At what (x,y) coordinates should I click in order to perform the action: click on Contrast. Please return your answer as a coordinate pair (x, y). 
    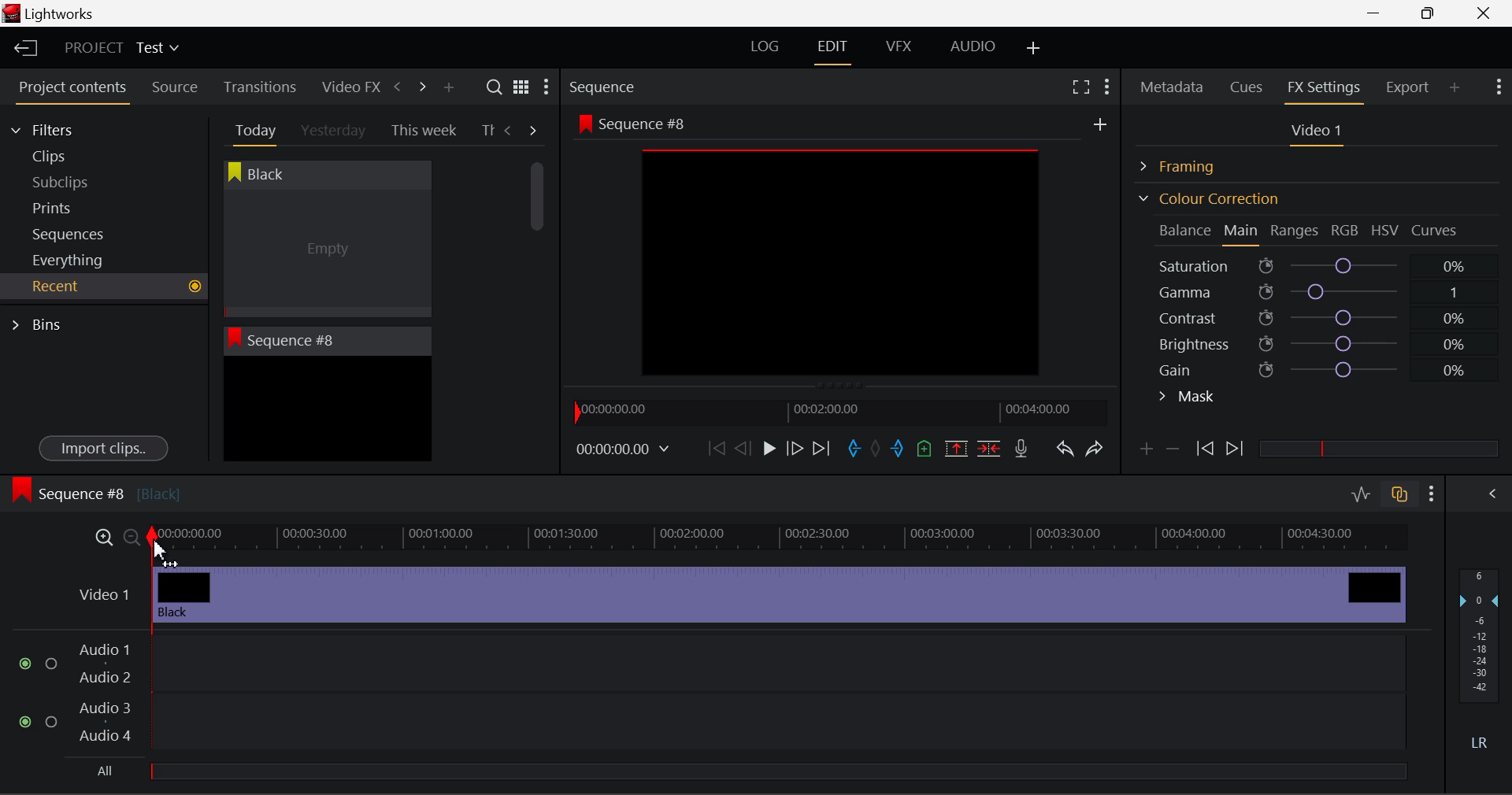
    Looking at the image, I should click on (1318, 317).